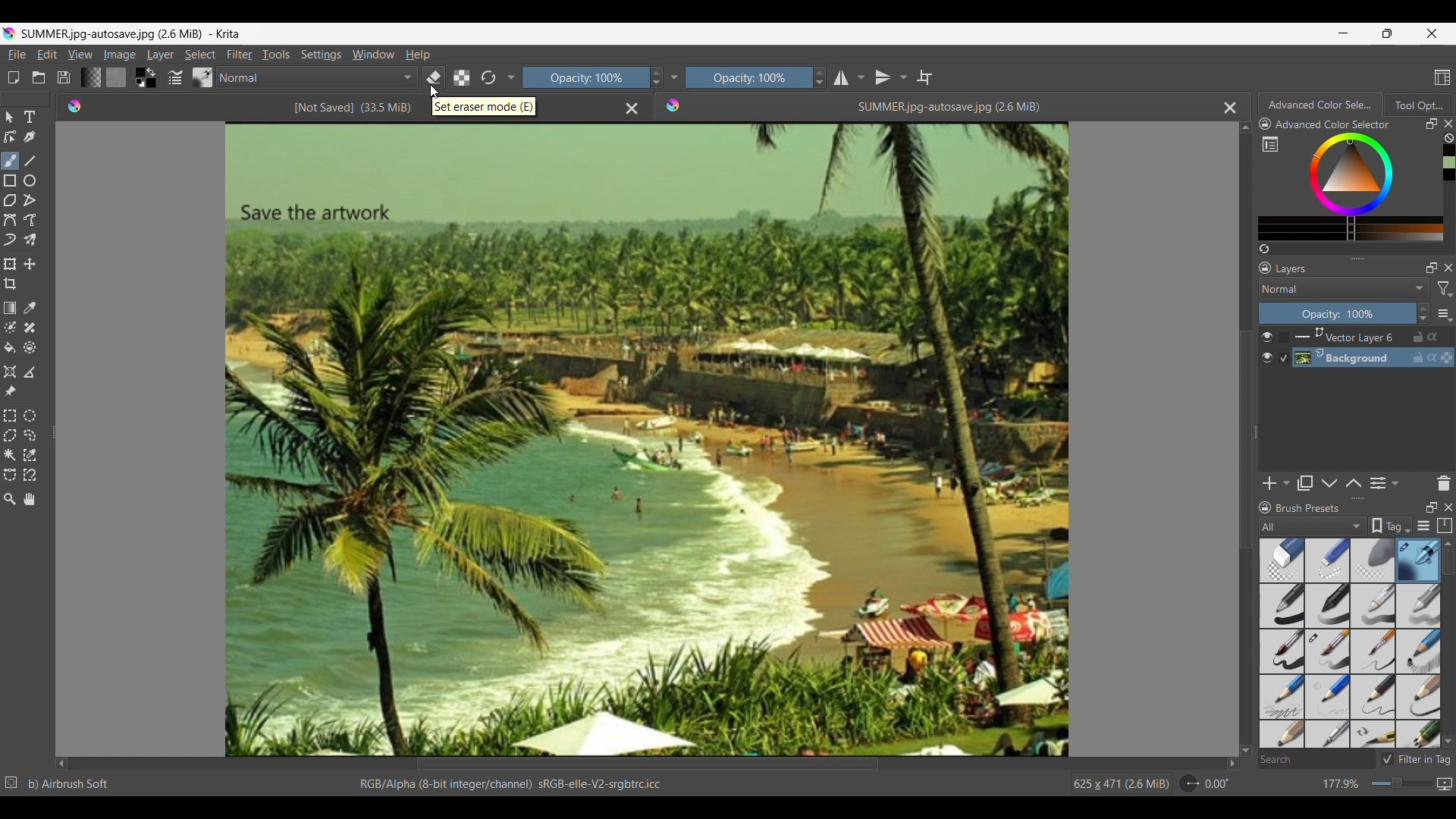 The height and width of the screenshot is (819, 1456). Describe the element at coordinates (1387, 33) in the screenshot. I see `Show interface in a smaller tab` at that location.